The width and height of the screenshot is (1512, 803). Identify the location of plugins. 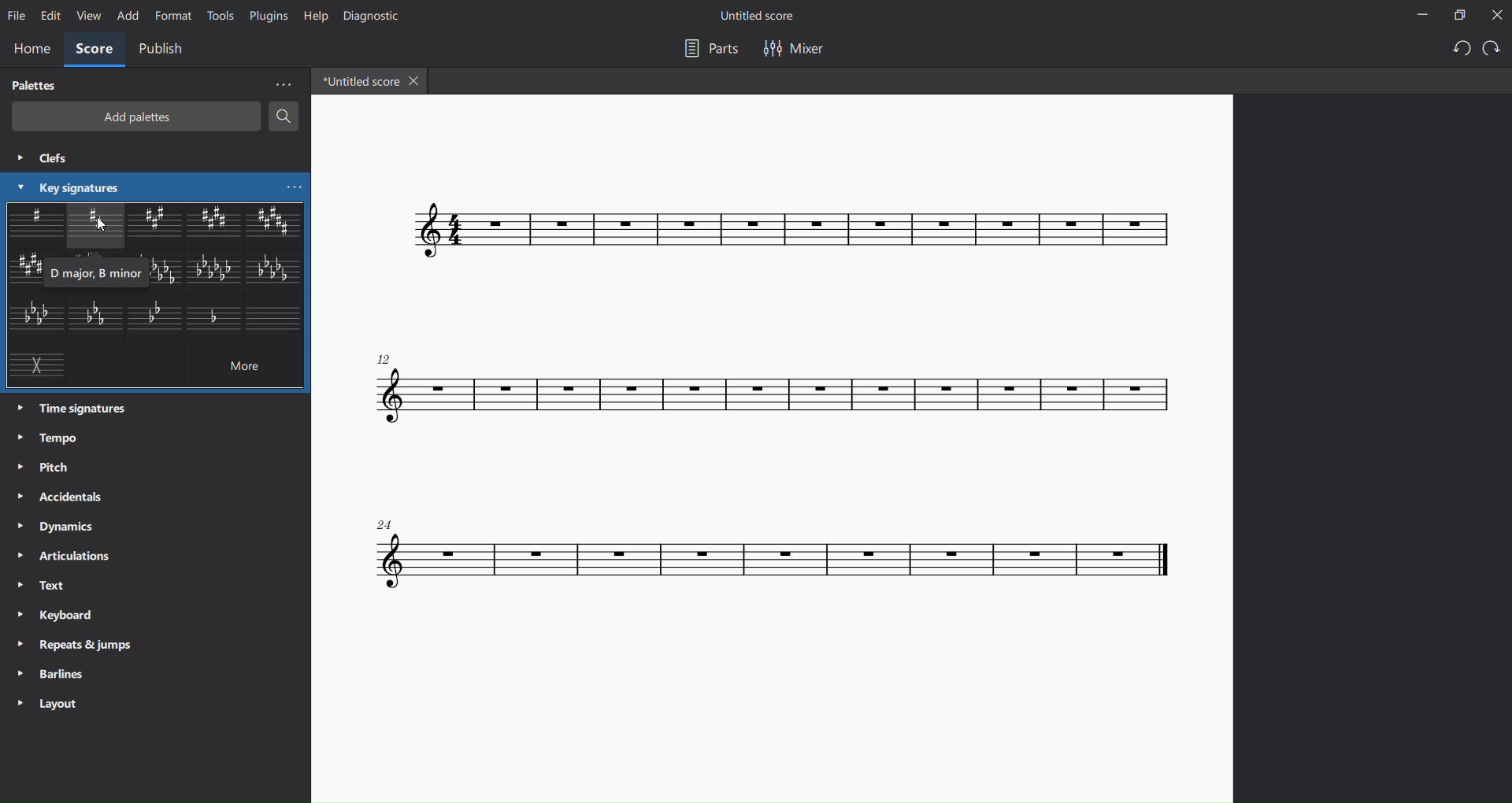
(266, 16).